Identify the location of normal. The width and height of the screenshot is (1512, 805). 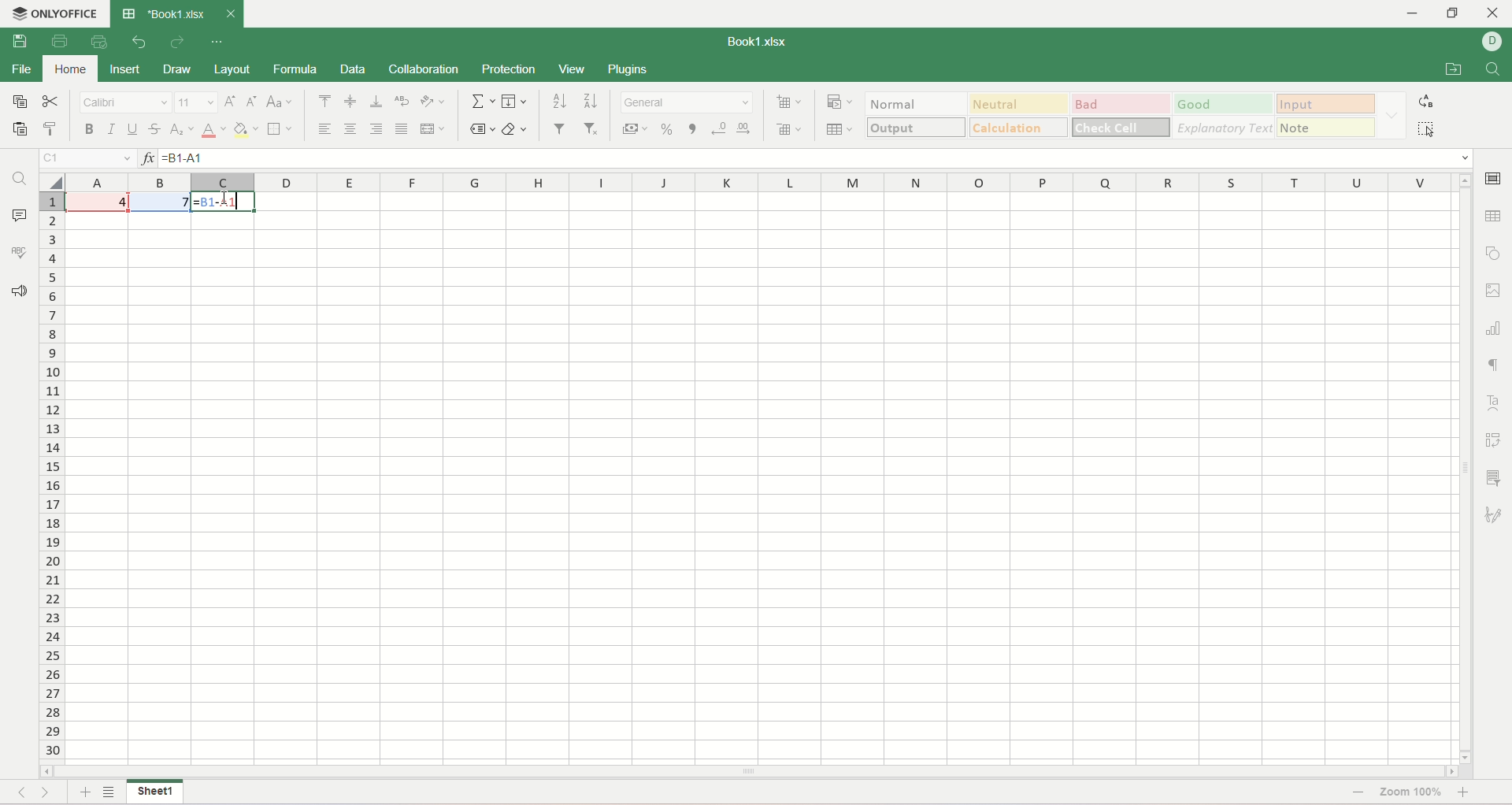
(916, 103).